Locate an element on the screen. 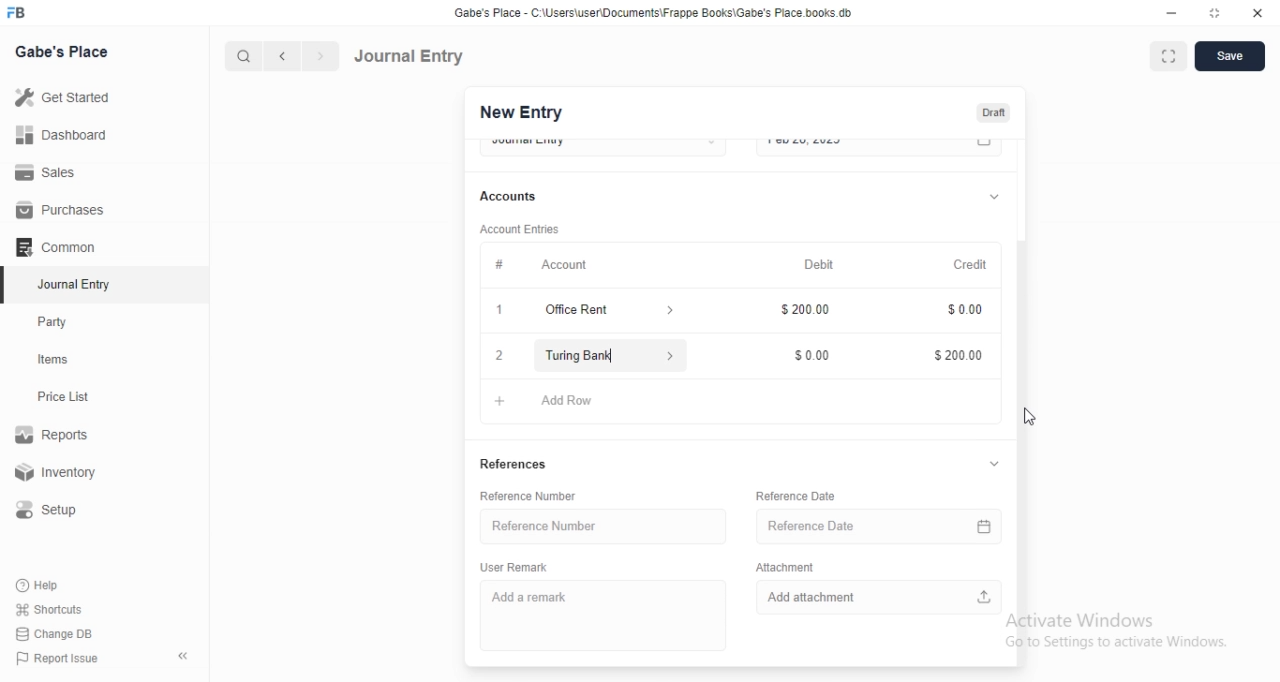  minimize is located at coordinates (1170, 12).